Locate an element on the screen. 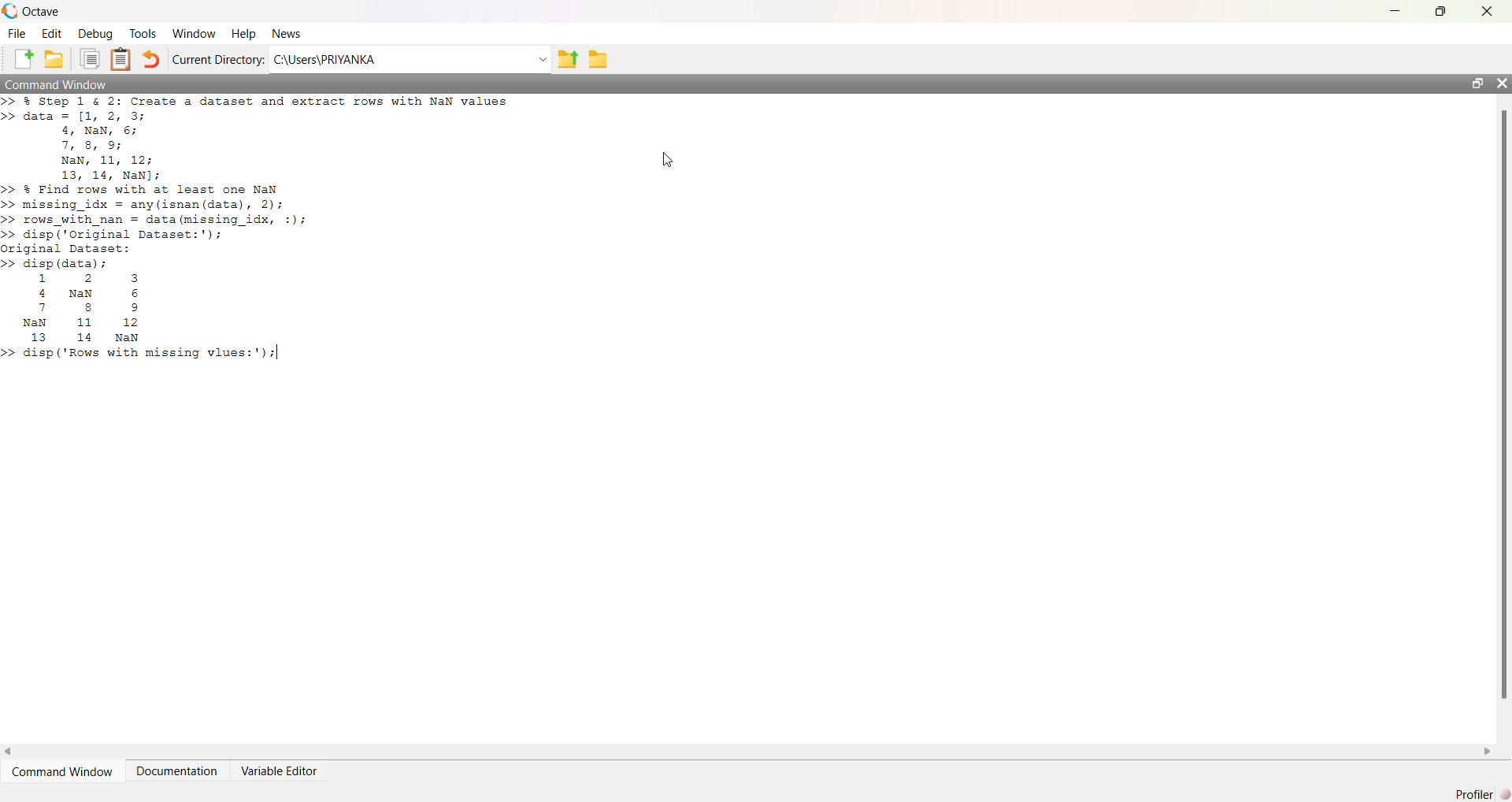  minimize is located at coordinates (1395, 11).